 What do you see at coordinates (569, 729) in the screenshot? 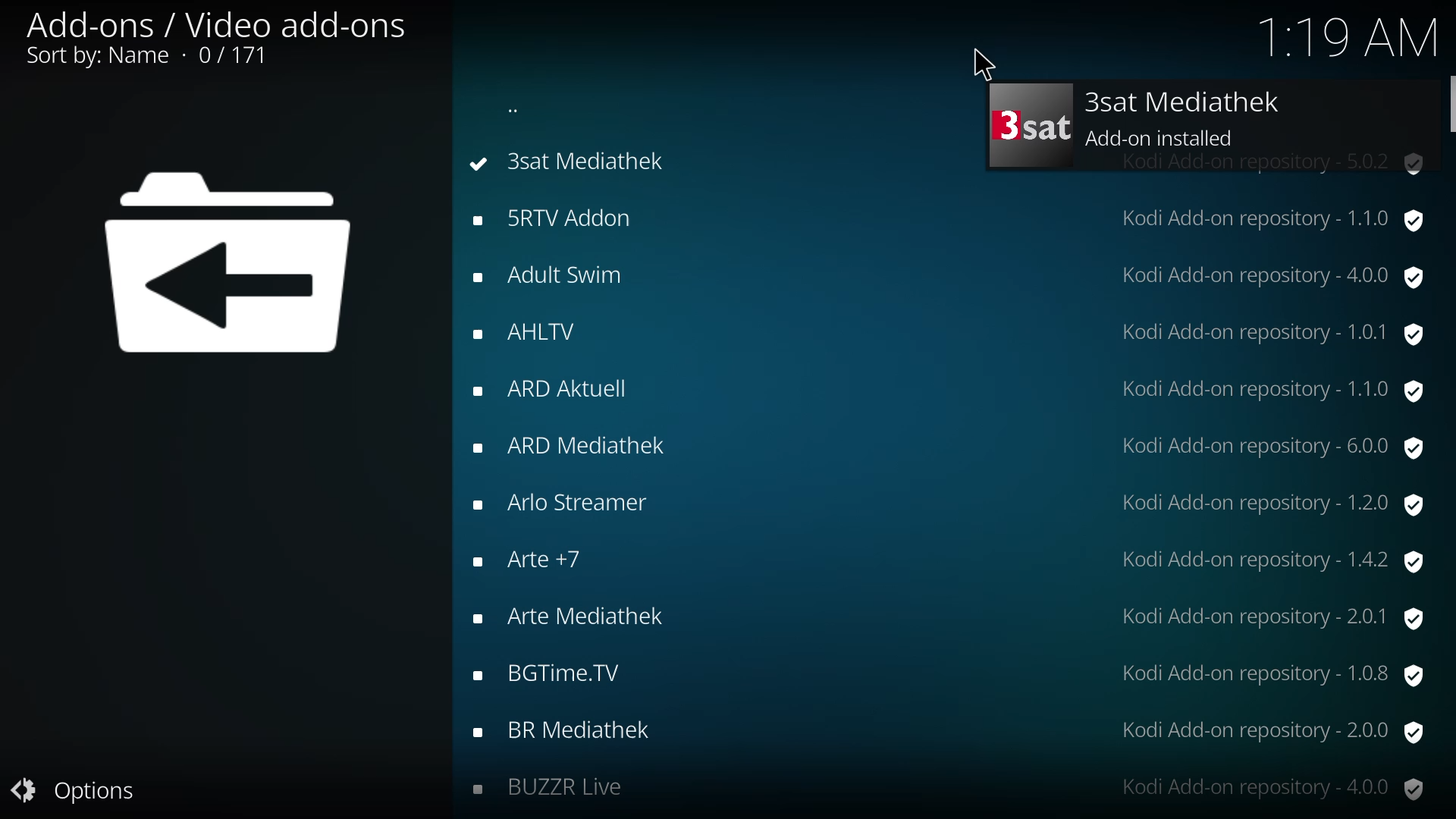
I see `add-ons` at bounding box center [569, 729].